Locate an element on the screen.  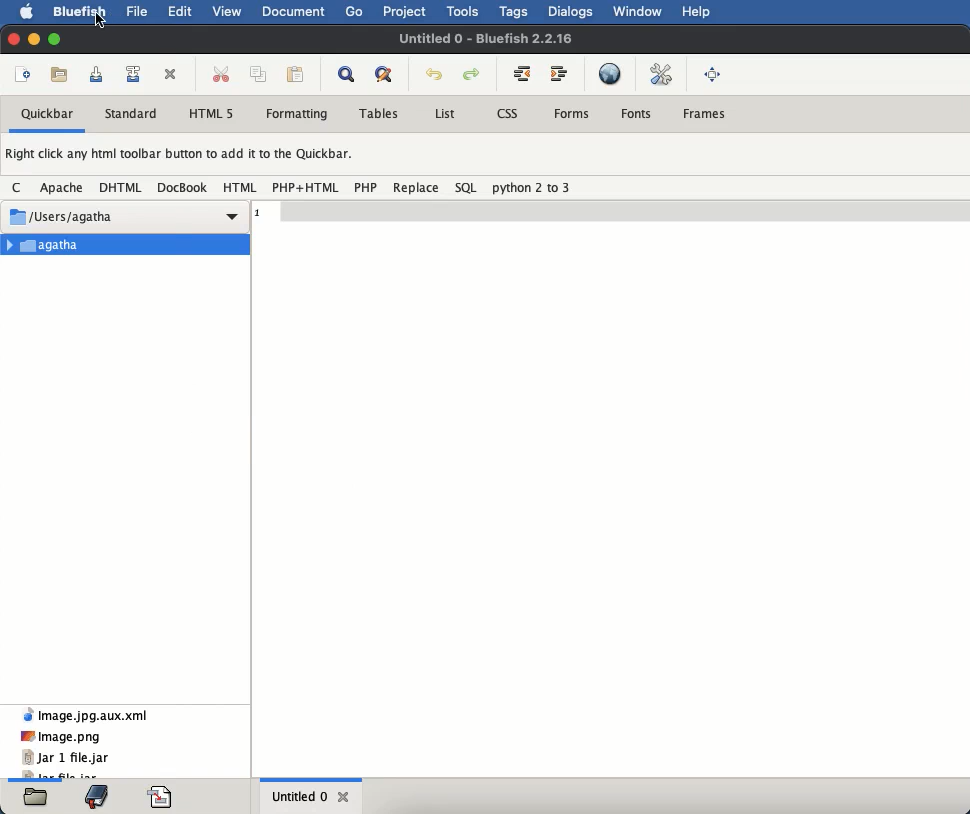
show find bar is located at coordinates (350, 74).